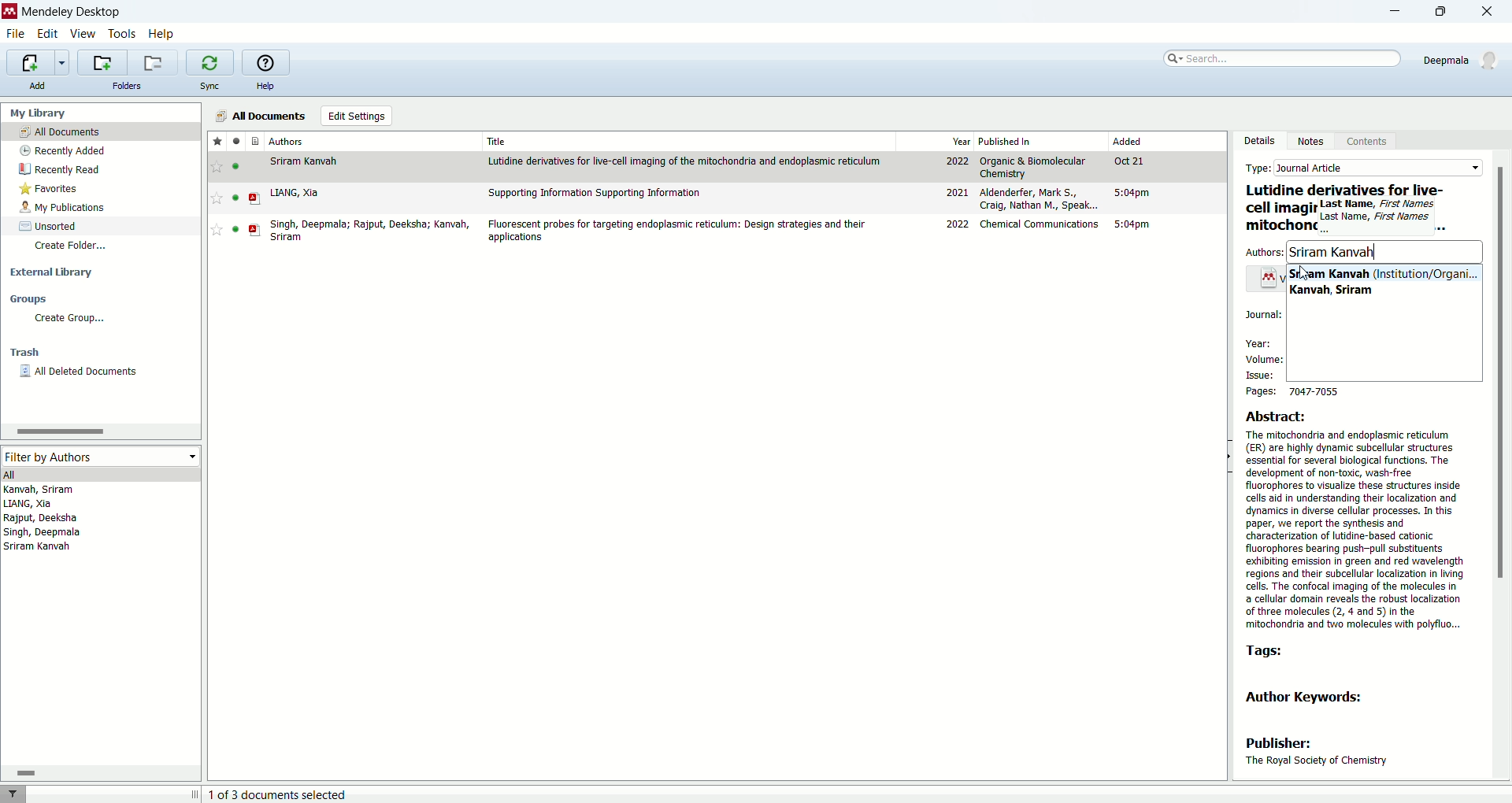 This screenshot has height=803, width=1512. What do you see at coordinates (1334, 290) in the screenshot?
I see `Kanvah, Sriram` at bounding box center [1334, 290].